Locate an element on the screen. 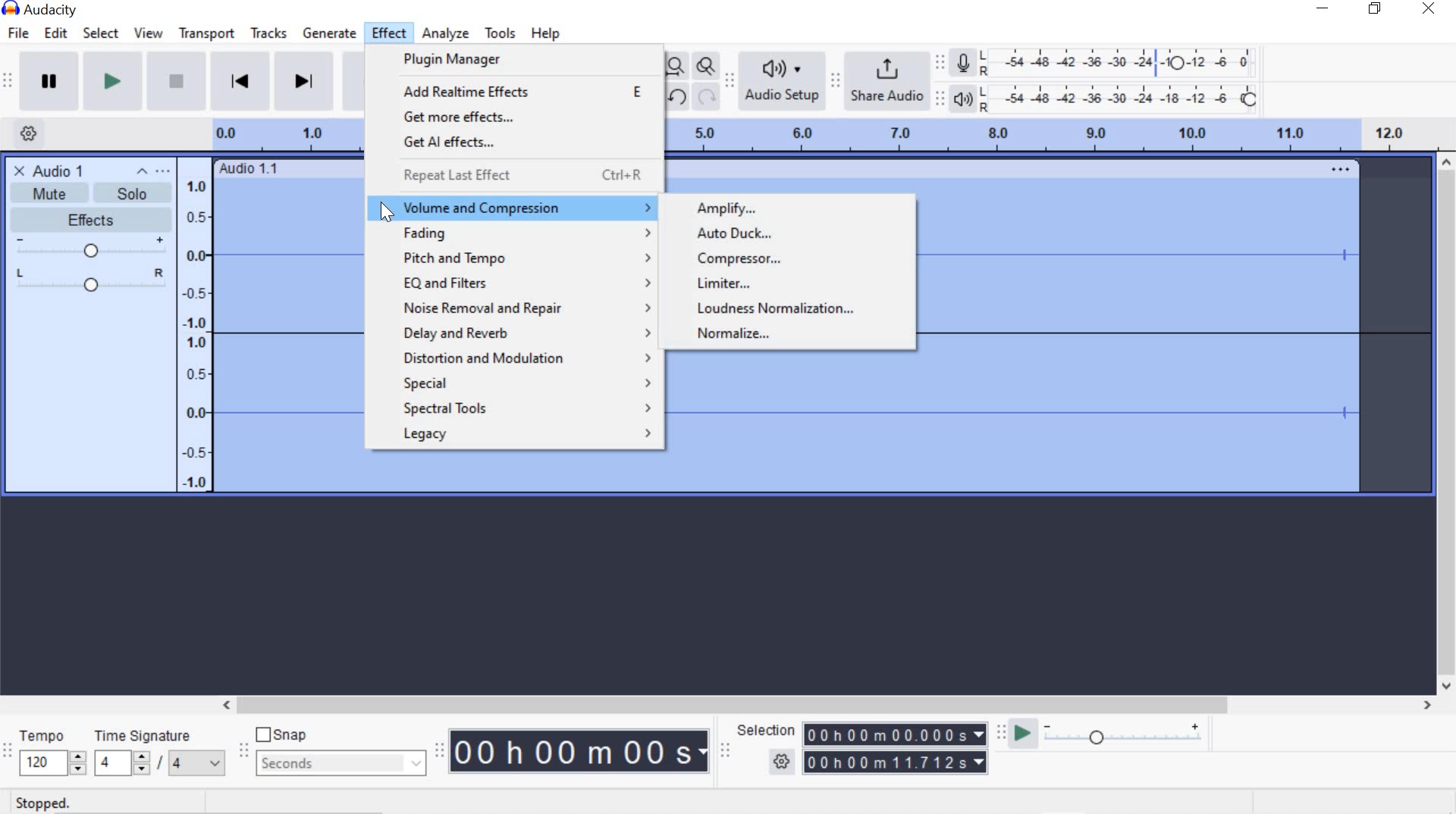 This screenshot has height=814, width=1456. view is located at coordinates (149, 33).